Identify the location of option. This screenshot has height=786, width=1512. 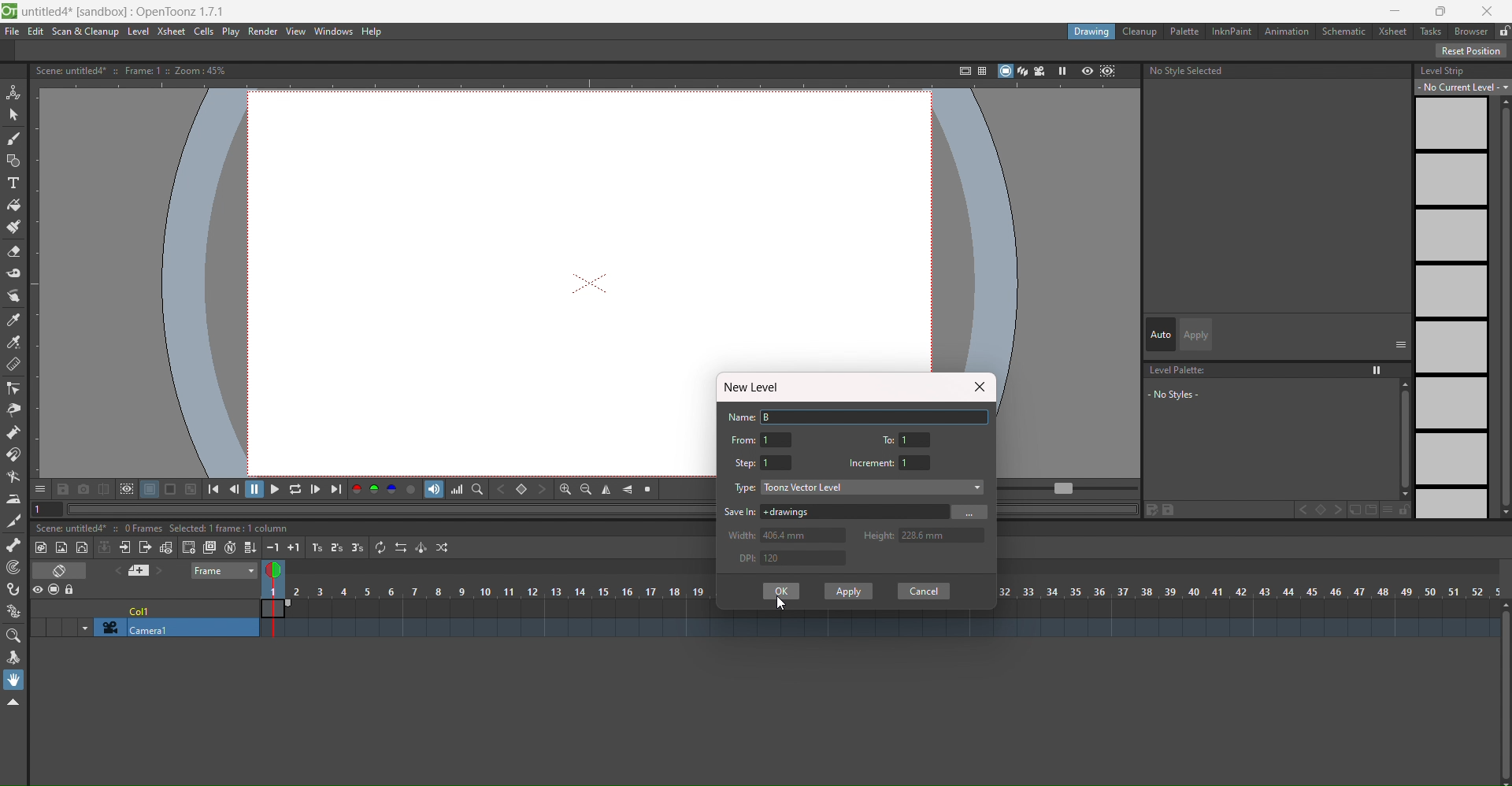
(1378, 370).